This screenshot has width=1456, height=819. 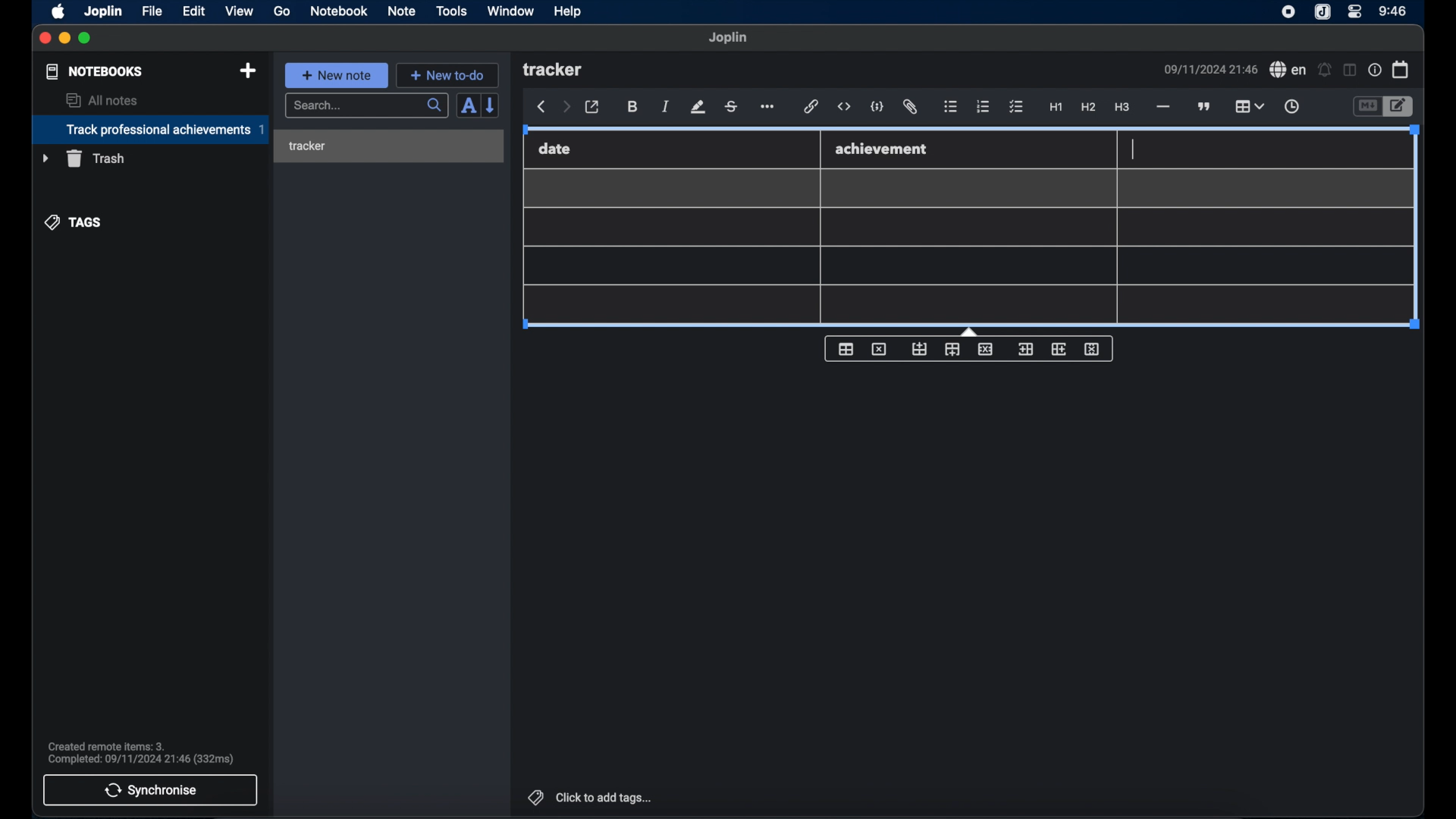 I want to click on control center, so click(x=1355, y=12).